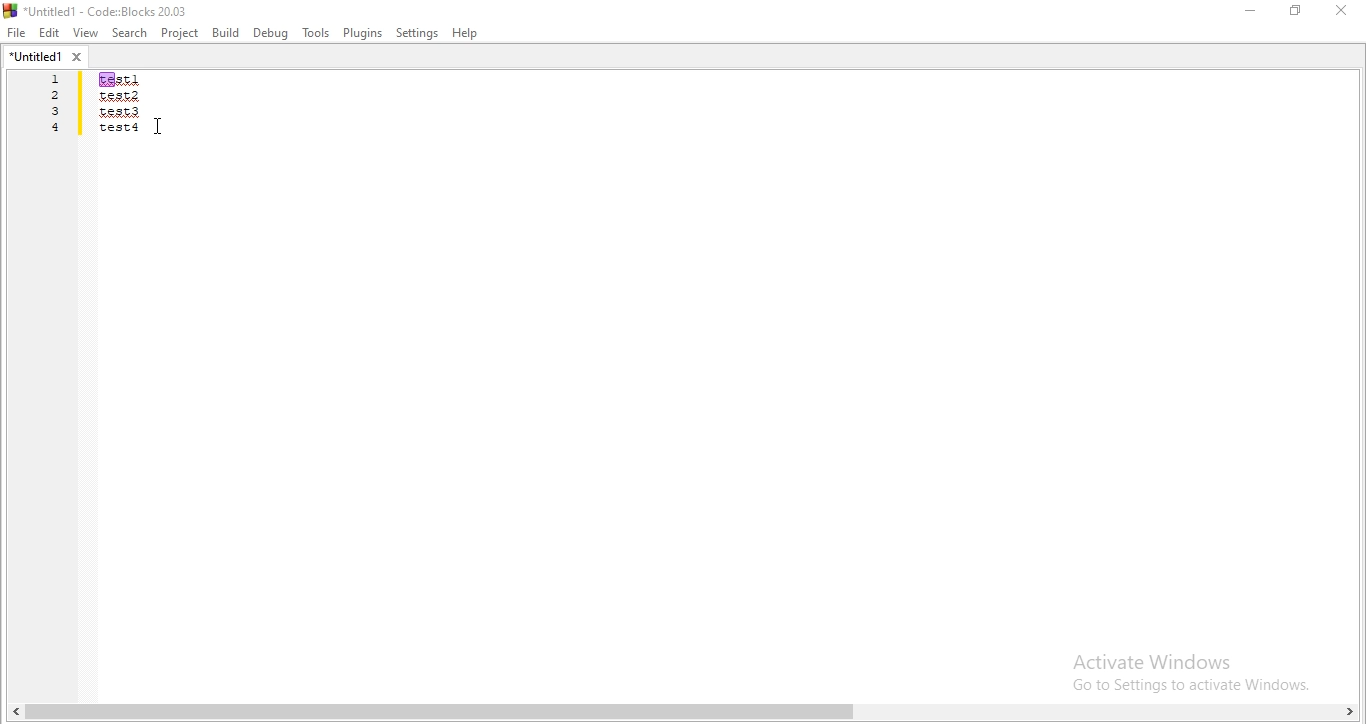 The image size is (1366, 724). Describe the element at coordinates (362, 32) in the screenshot. I see `Plugins ` at that location.